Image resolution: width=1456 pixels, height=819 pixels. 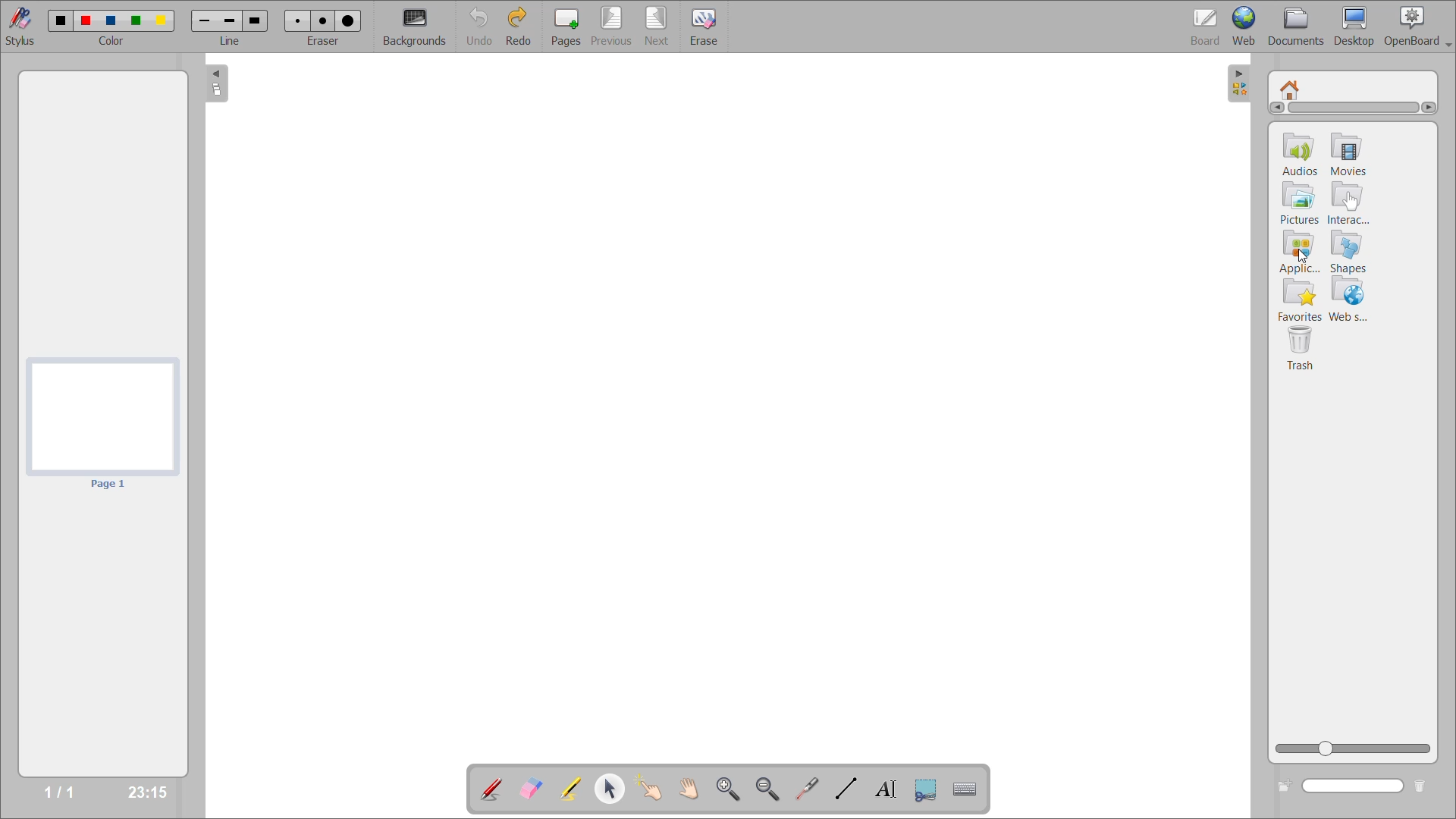 I want to click on stylus, so click(x=17, y=24).